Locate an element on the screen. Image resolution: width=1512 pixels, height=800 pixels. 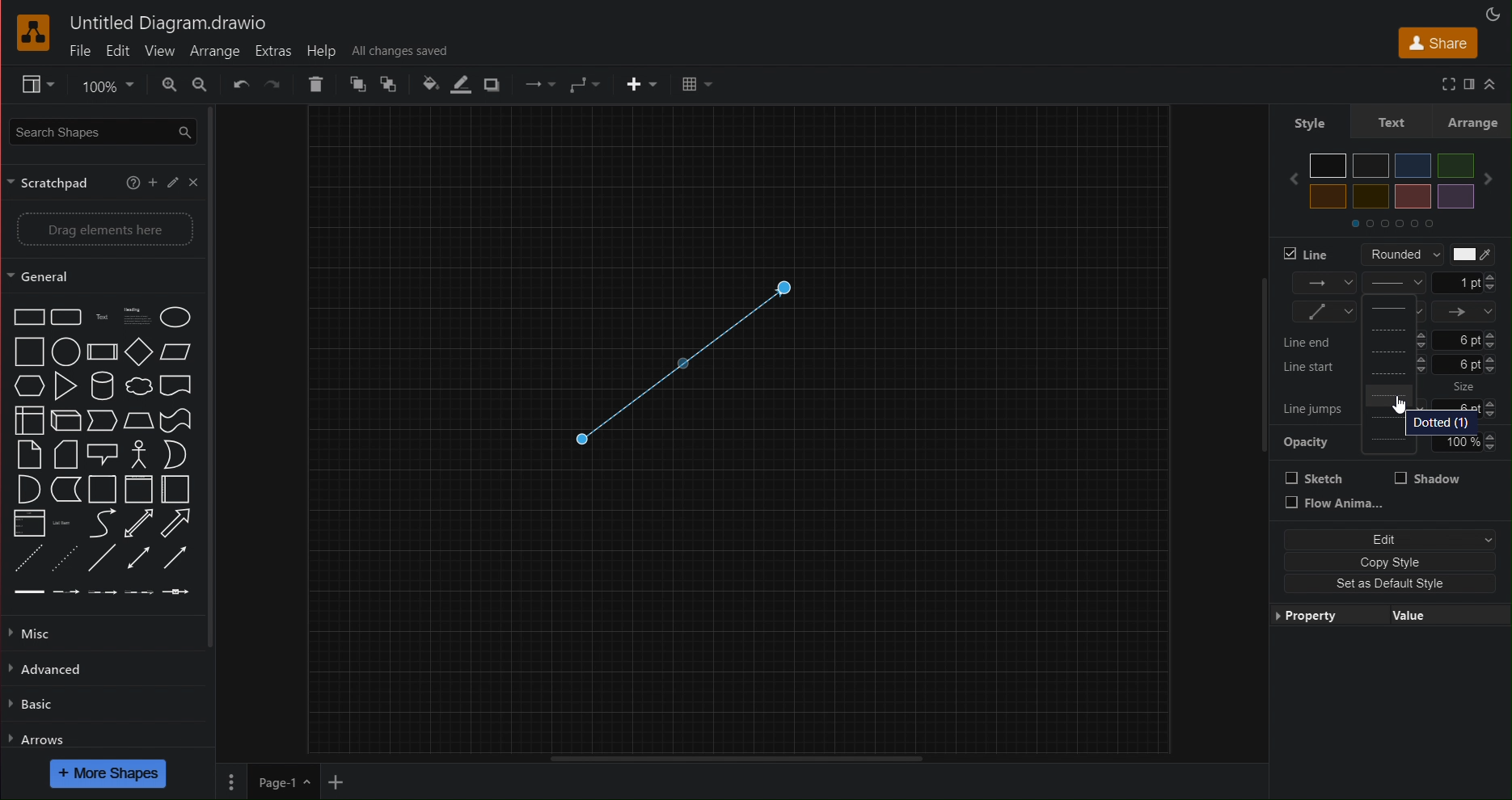
Insert is located at coordinates (640, 84).